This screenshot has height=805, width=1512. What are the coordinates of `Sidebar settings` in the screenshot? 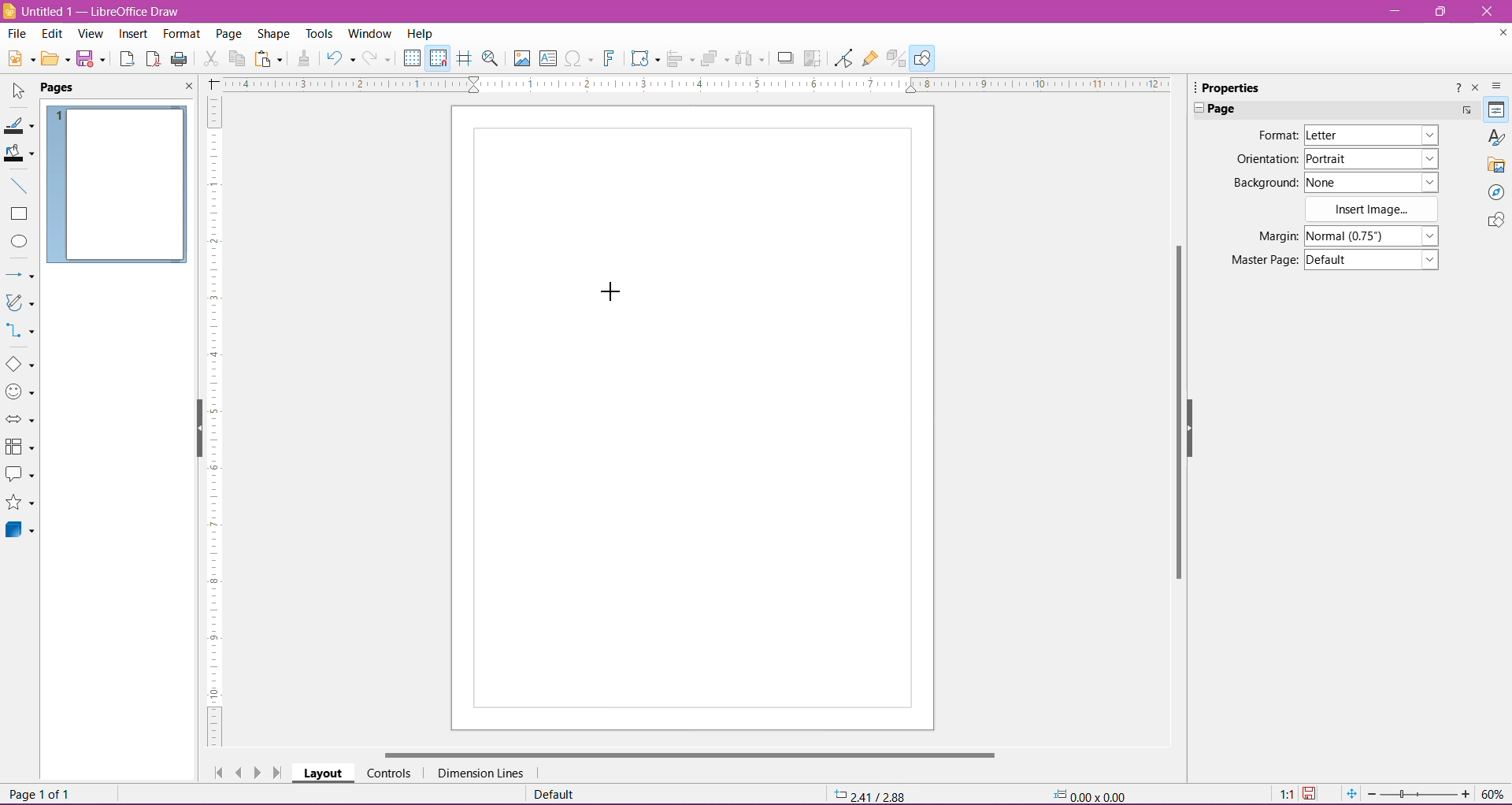 It's located at (1499, 86).